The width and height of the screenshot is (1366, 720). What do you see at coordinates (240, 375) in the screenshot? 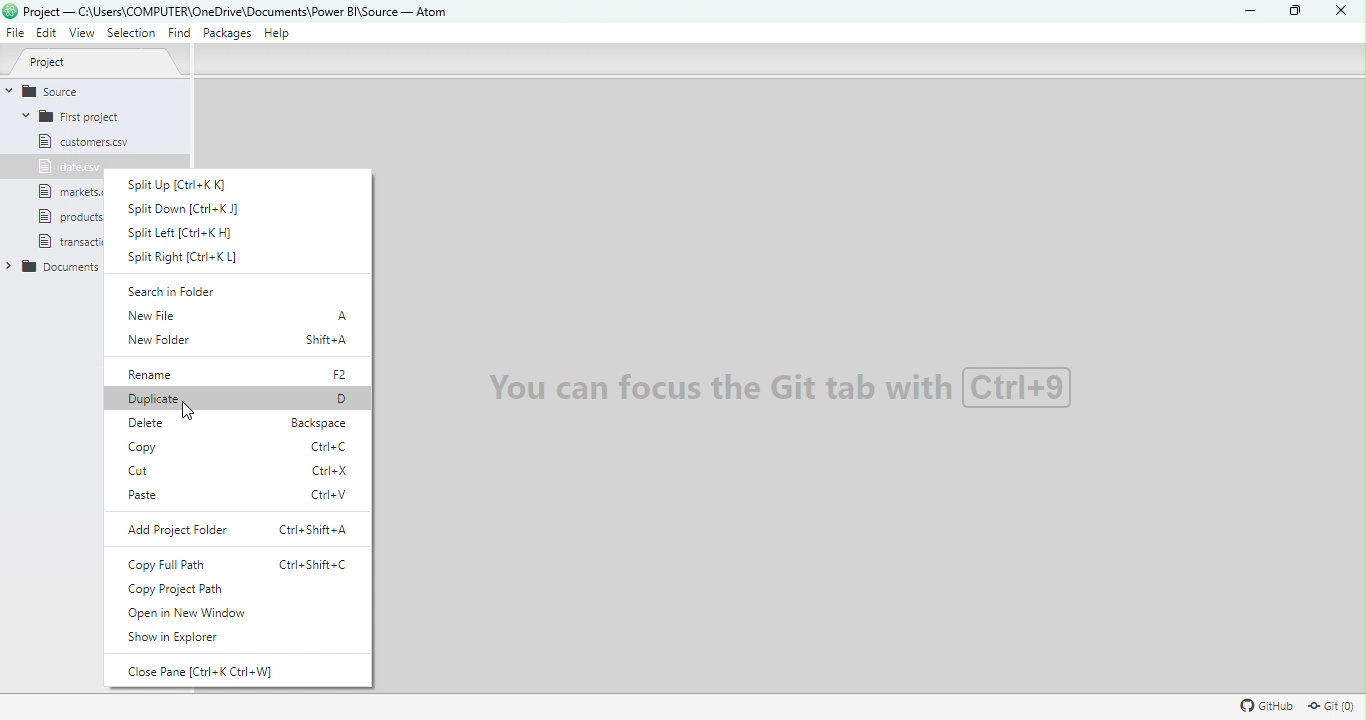
I see `Rename` at bounding box center [240, 375].